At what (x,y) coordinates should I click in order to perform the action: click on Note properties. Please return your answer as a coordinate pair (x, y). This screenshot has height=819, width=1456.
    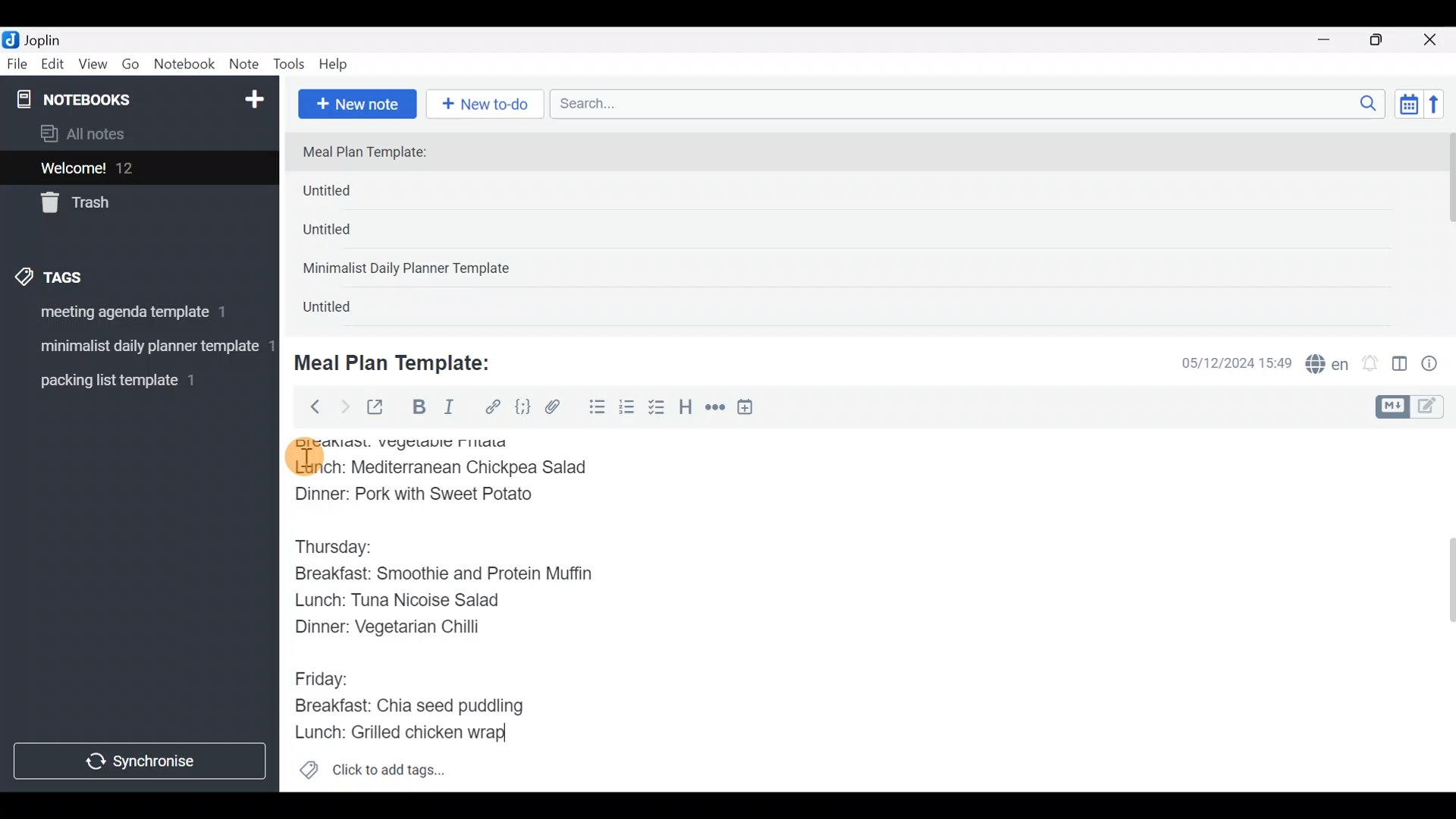
    Looking at the image, I should click on (1436, 365).